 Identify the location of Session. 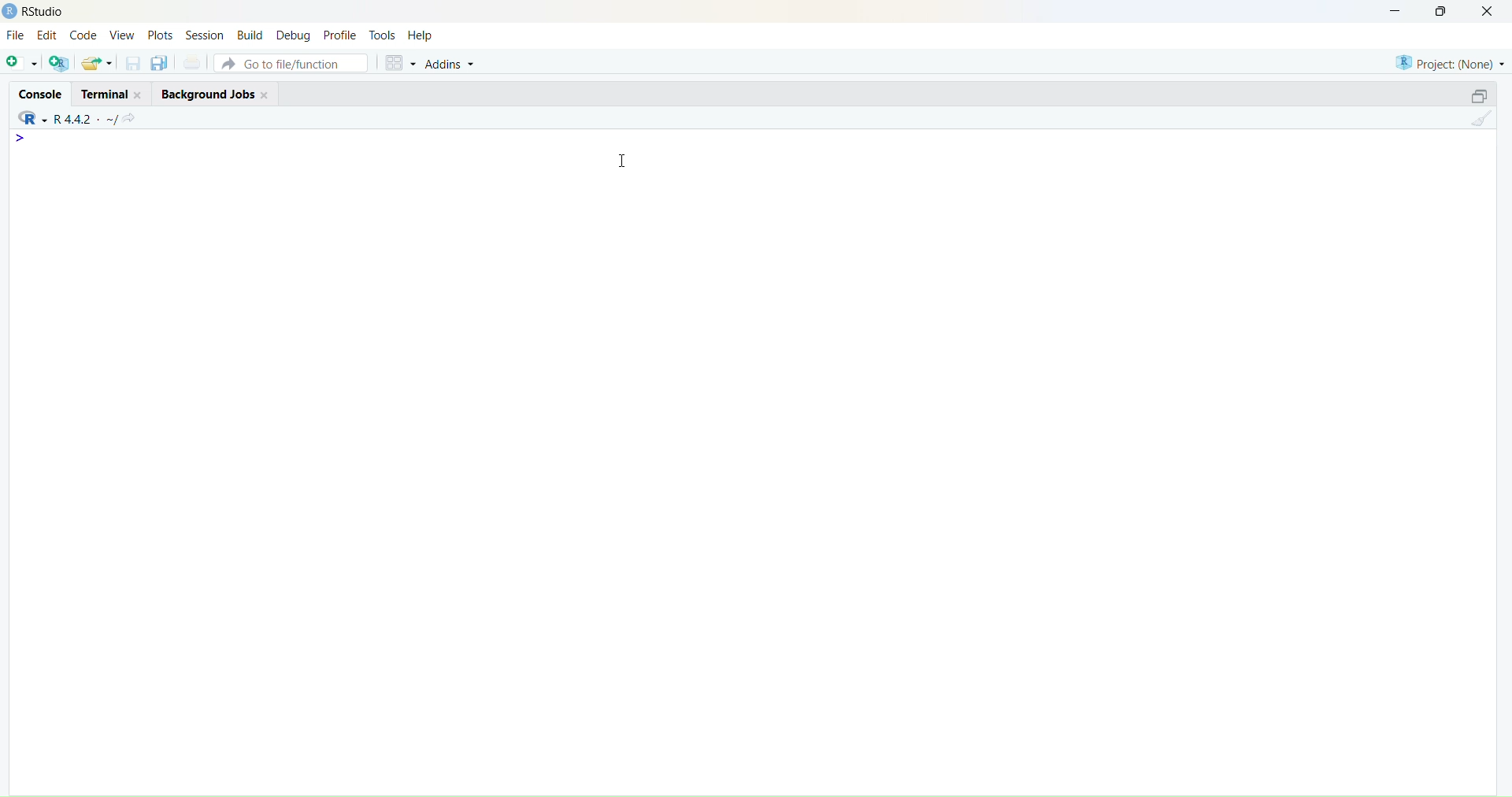
(206, 35).